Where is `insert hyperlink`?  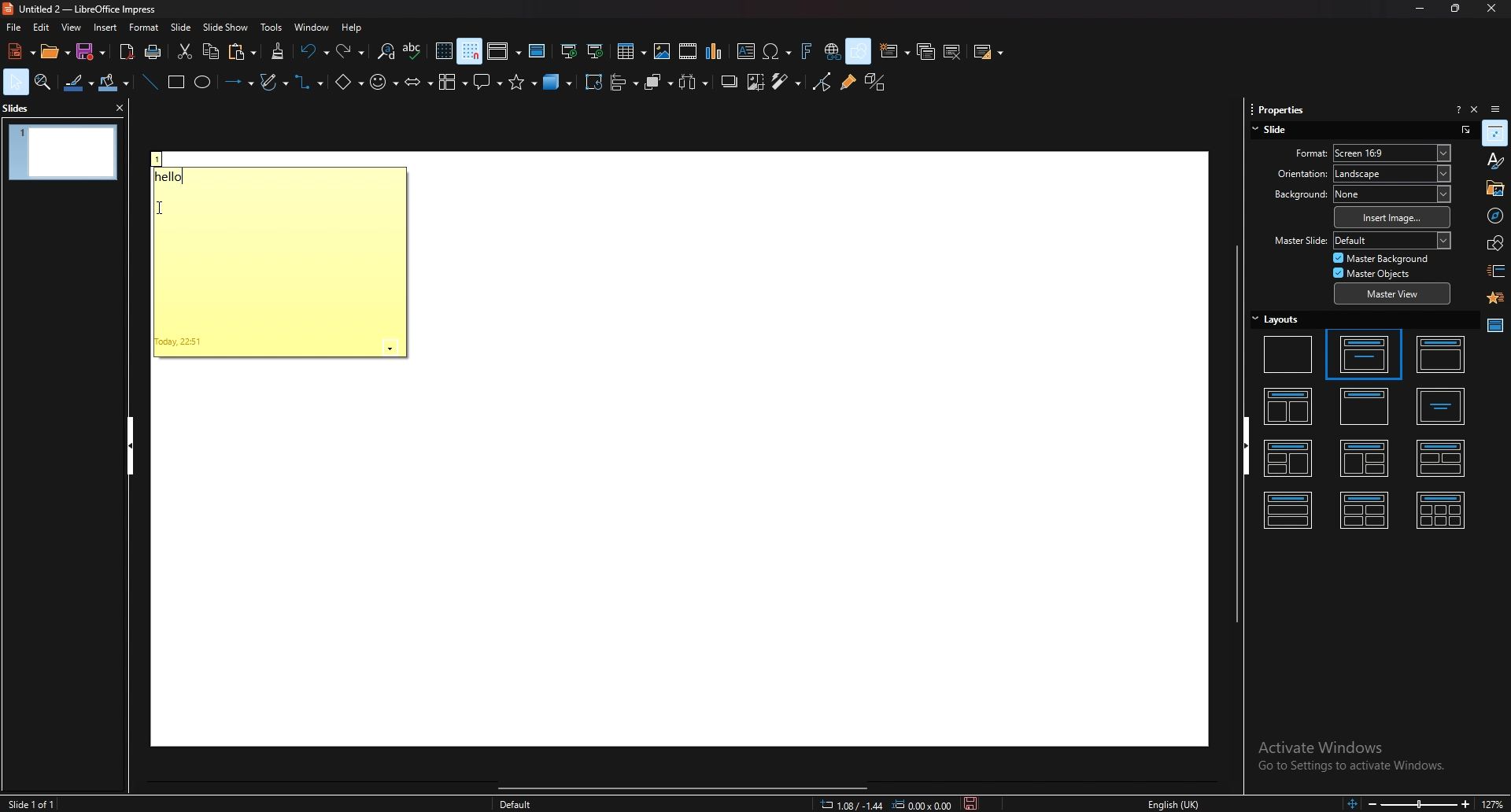 insert hyperlink is located at coordinates (831, 51).